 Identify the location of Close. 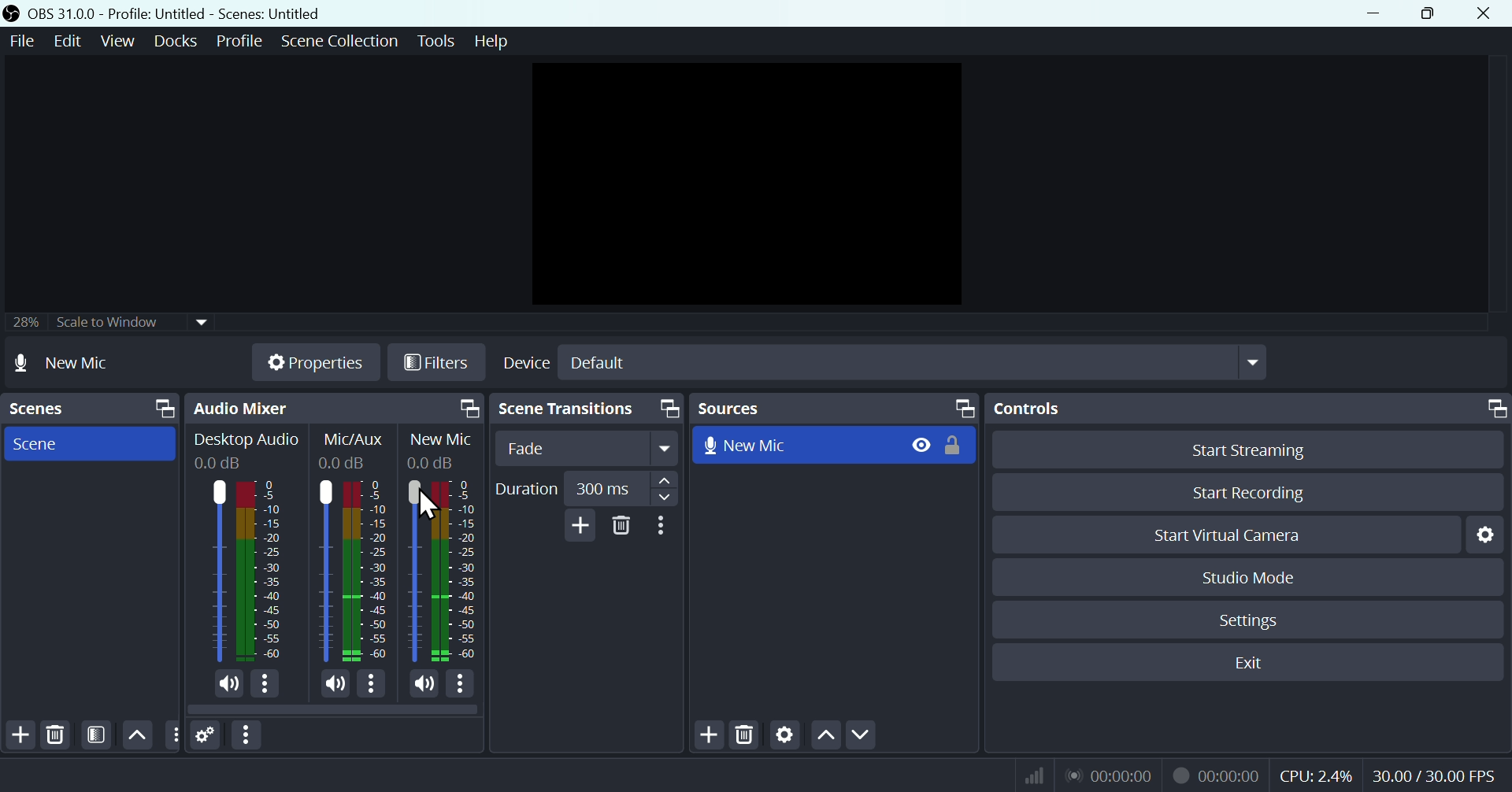
(1482, 13).